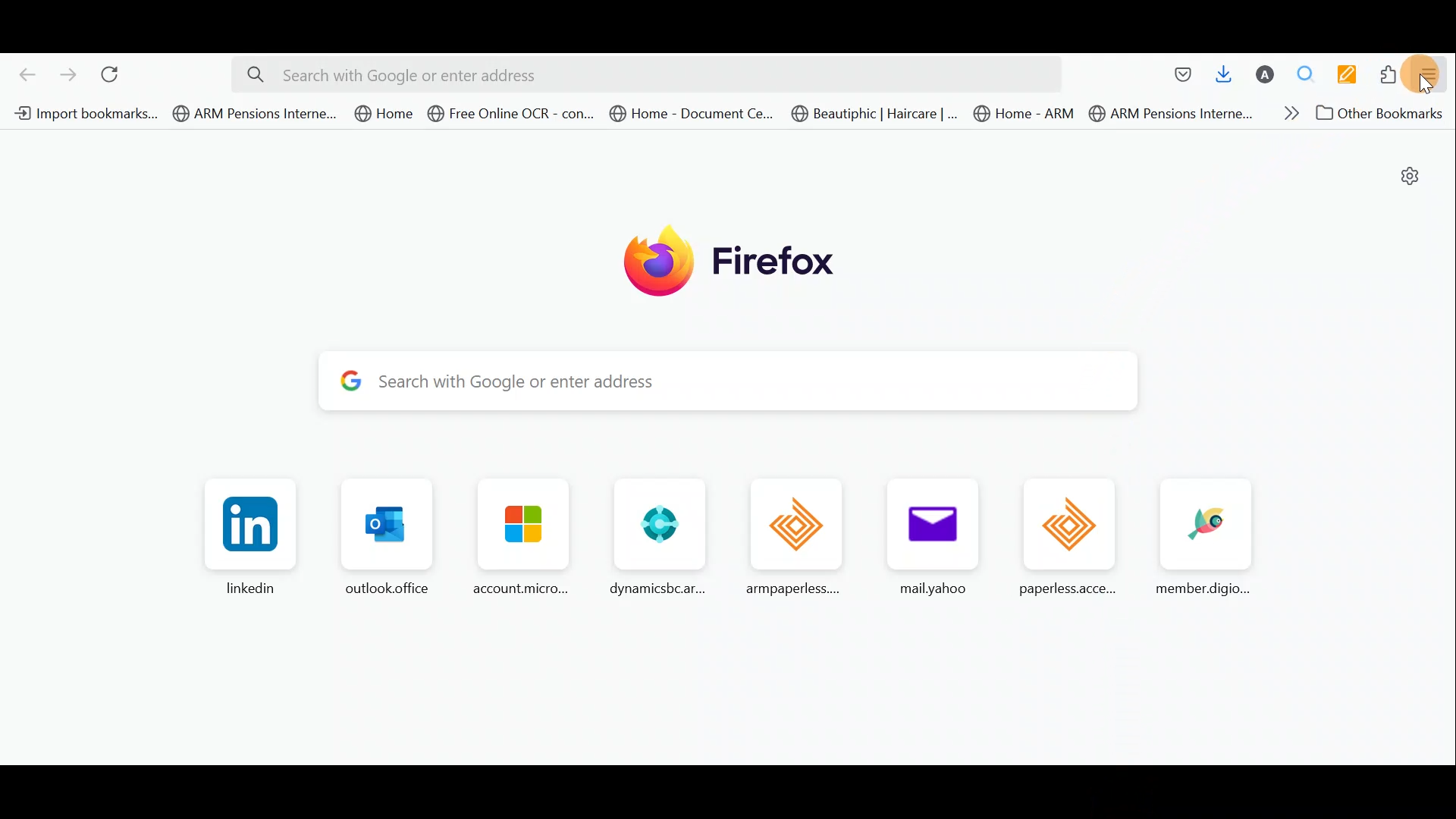  Describe the element at coordinates (255, 114) in the screenshot. I see ` ARM Pensions Interne...` at that location.